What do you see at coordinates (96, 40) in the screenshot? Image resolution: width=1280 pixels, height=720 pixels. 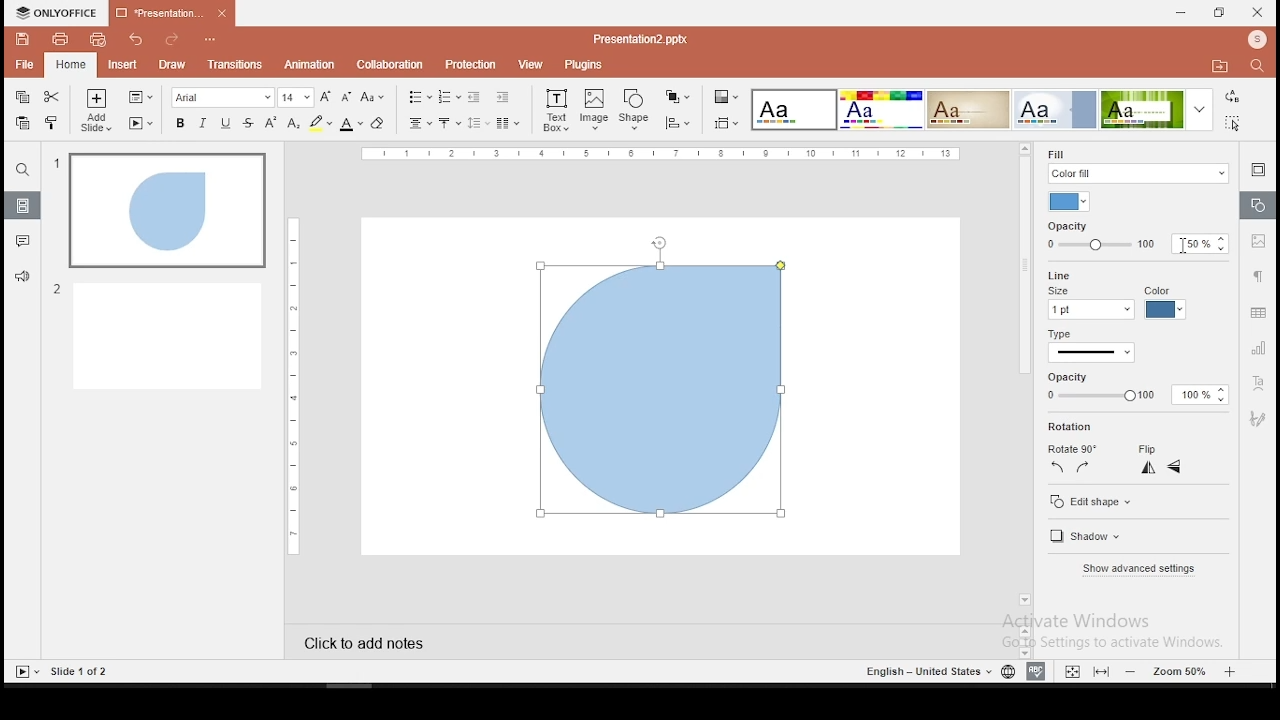 I see `quick print` at bounding box center [96, 40].